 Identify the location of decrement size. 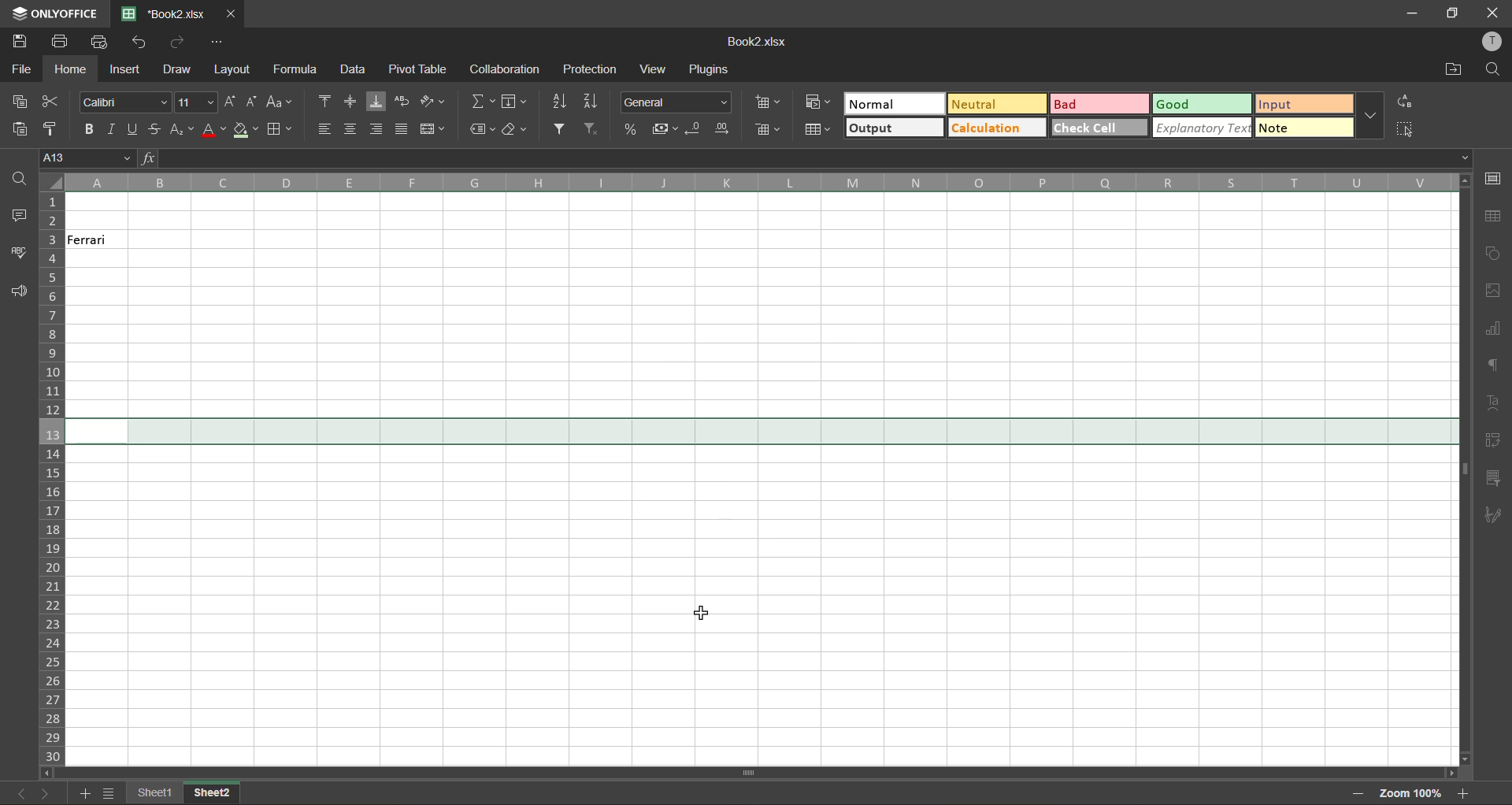
(253, 102).